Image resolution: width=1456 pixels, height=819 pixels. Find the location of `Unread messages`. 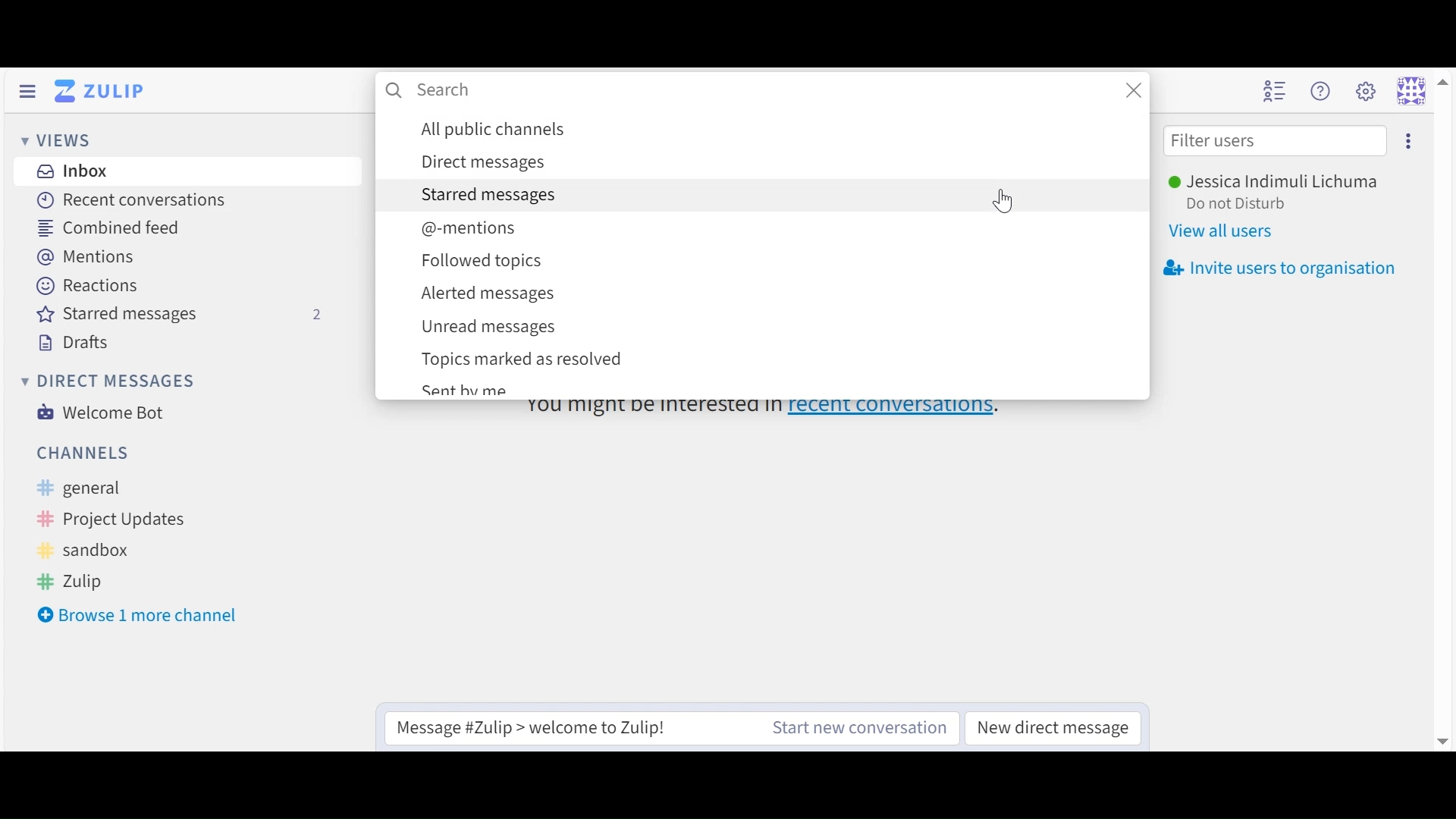

Unread messages is located at coordinates (777, 327).